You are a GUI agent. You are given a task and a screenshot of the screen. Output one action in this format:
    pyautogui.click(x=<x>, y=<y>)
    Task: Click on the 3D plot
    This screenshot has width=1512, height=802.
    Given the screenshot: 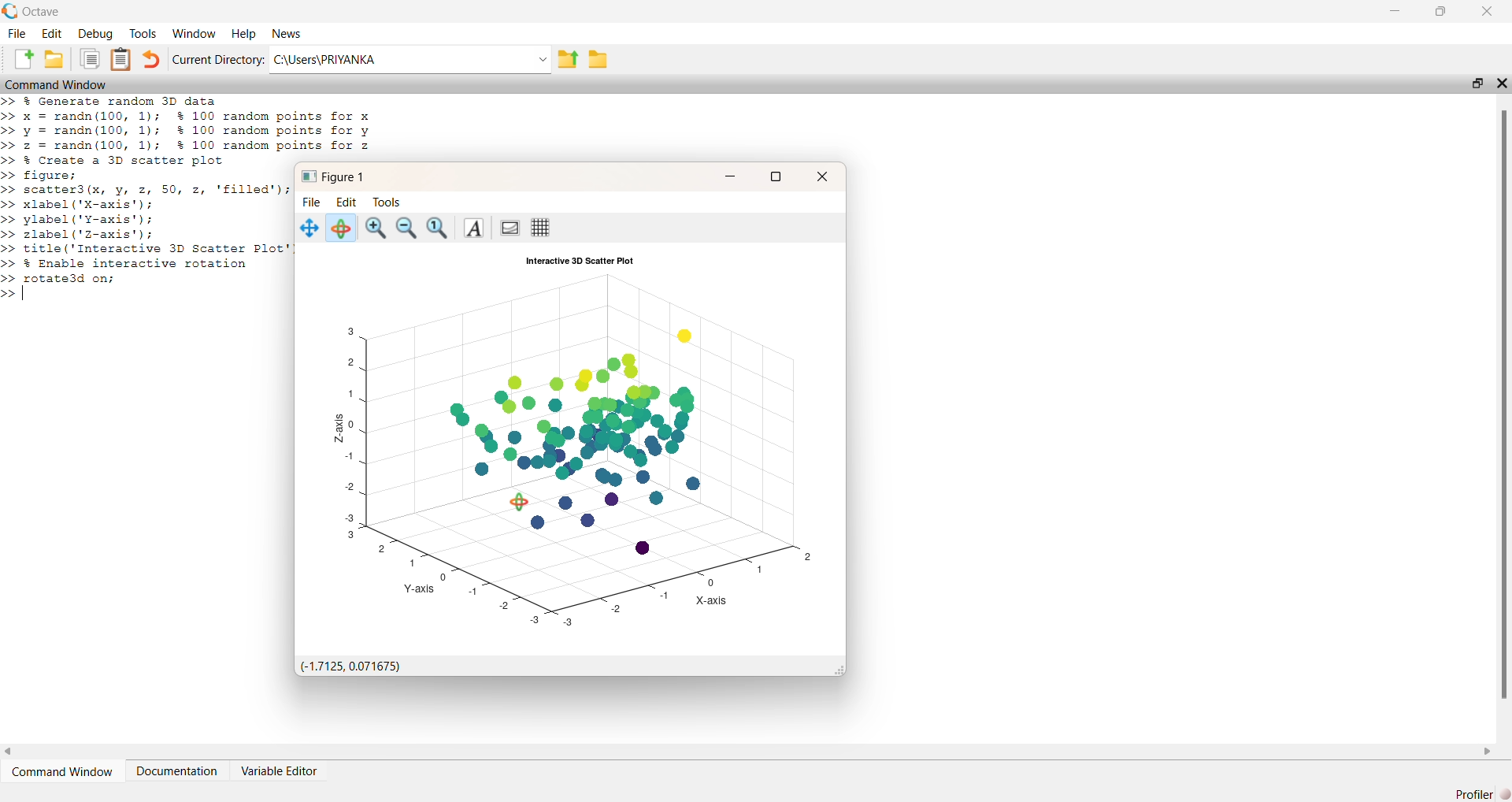 What is the action you would take?
    pyautogui.click(x=578, y=450)
    